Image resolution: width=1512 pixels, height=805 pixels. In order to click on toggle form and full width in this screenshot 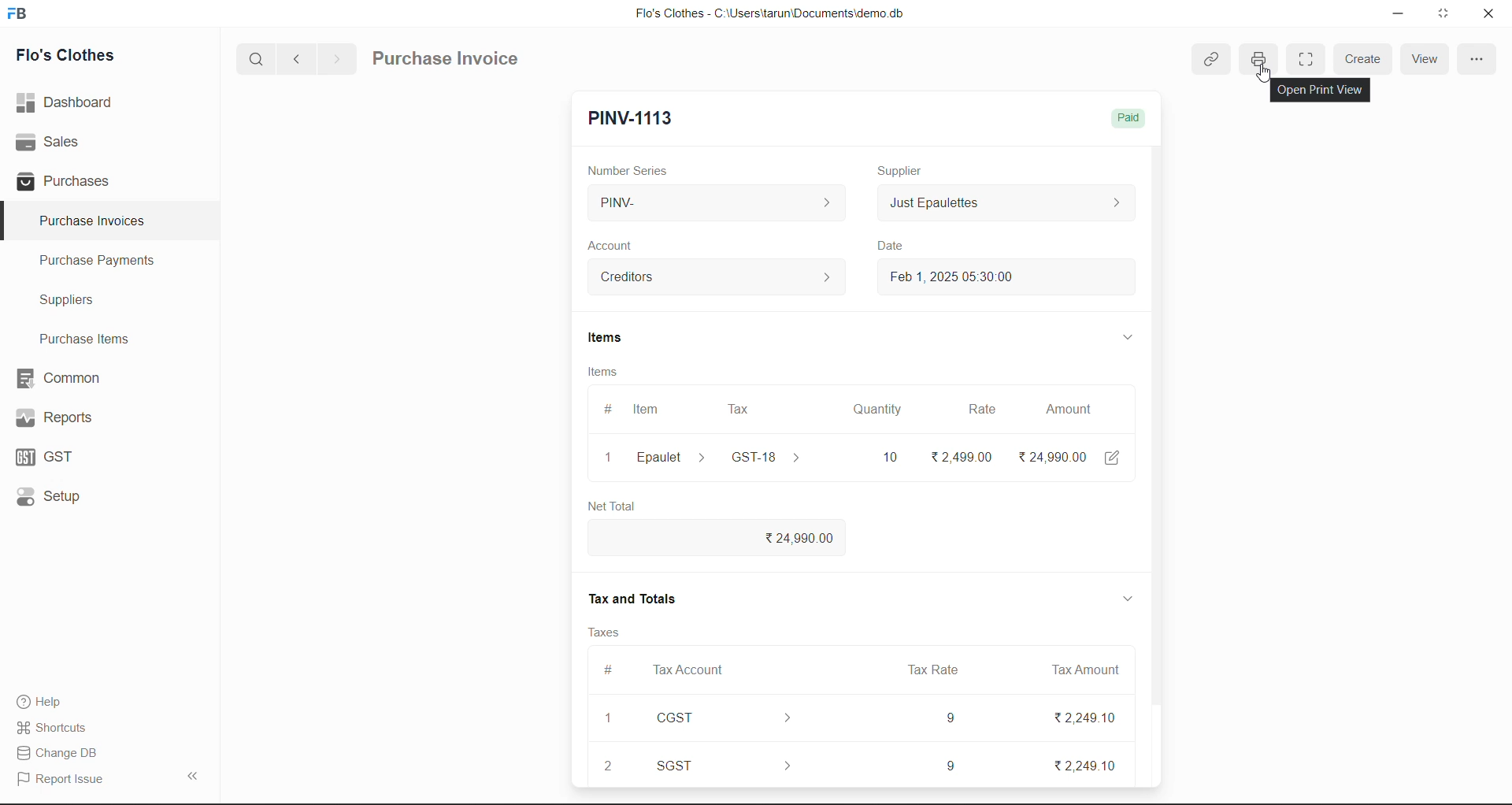, I will do `click(1306, 60)`.